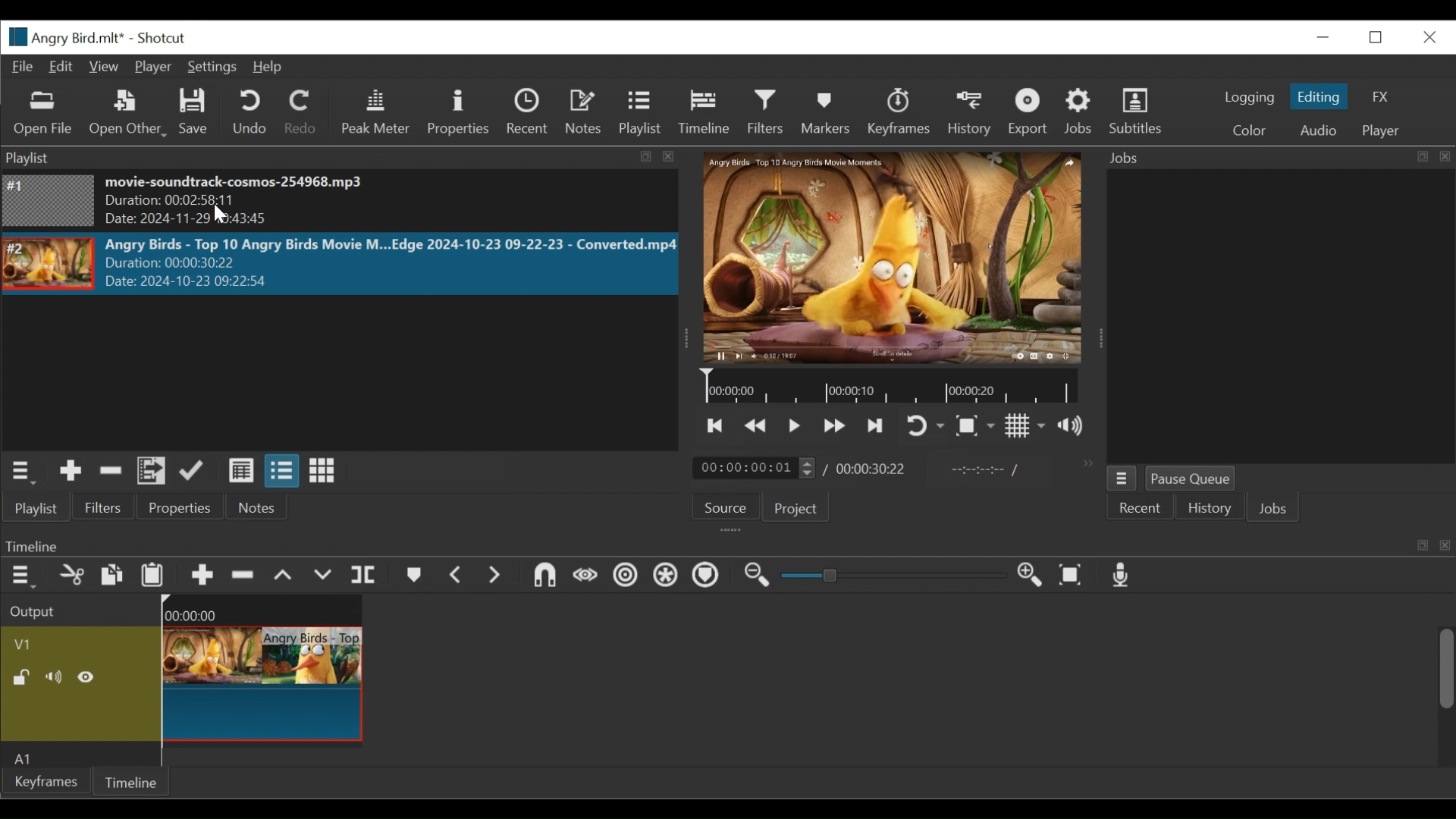  I want to click on Close, so click(1429, 35).